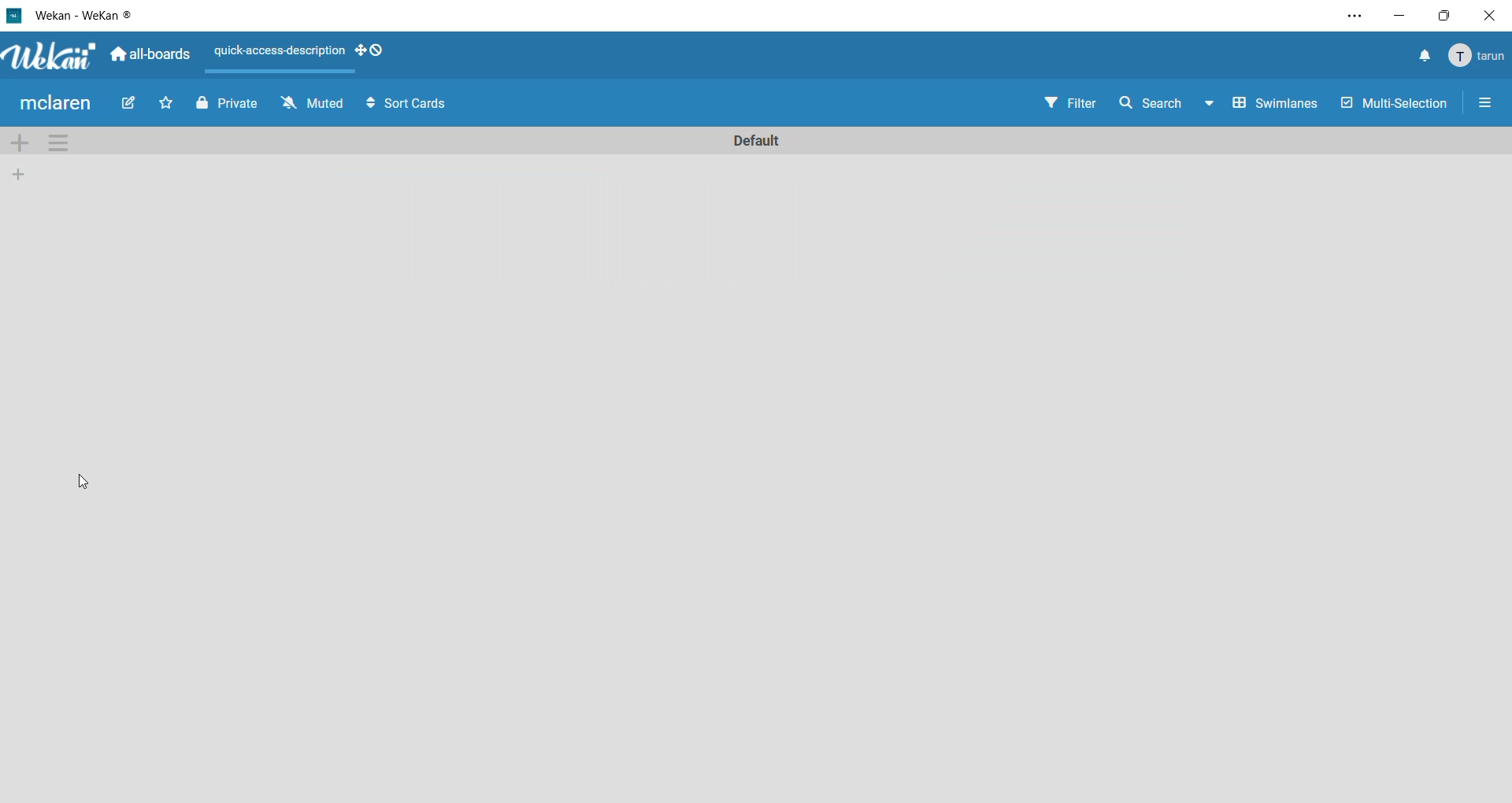 This screenshot has height=803, width=1512. What do you see at coordinates (1490, 17) in the screenshot?
I see `close` at bounding box center [1490, 17].